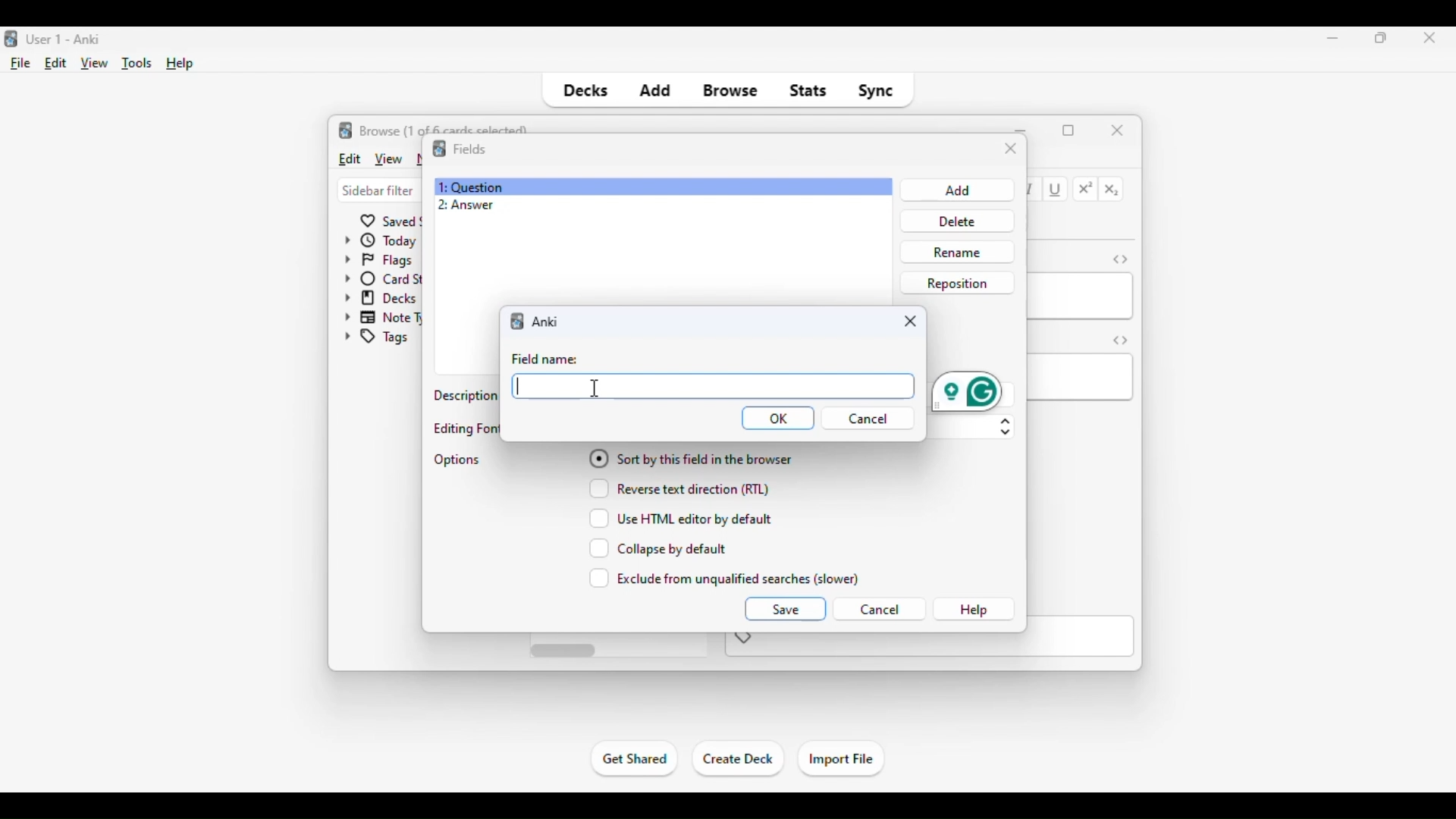 The width and height of the screenshot is (1456, 819). What do you see at coordinates (679, 488) in the screenshot?
I see `reverse text direction (RTL)` at bounding box center [679, 488].